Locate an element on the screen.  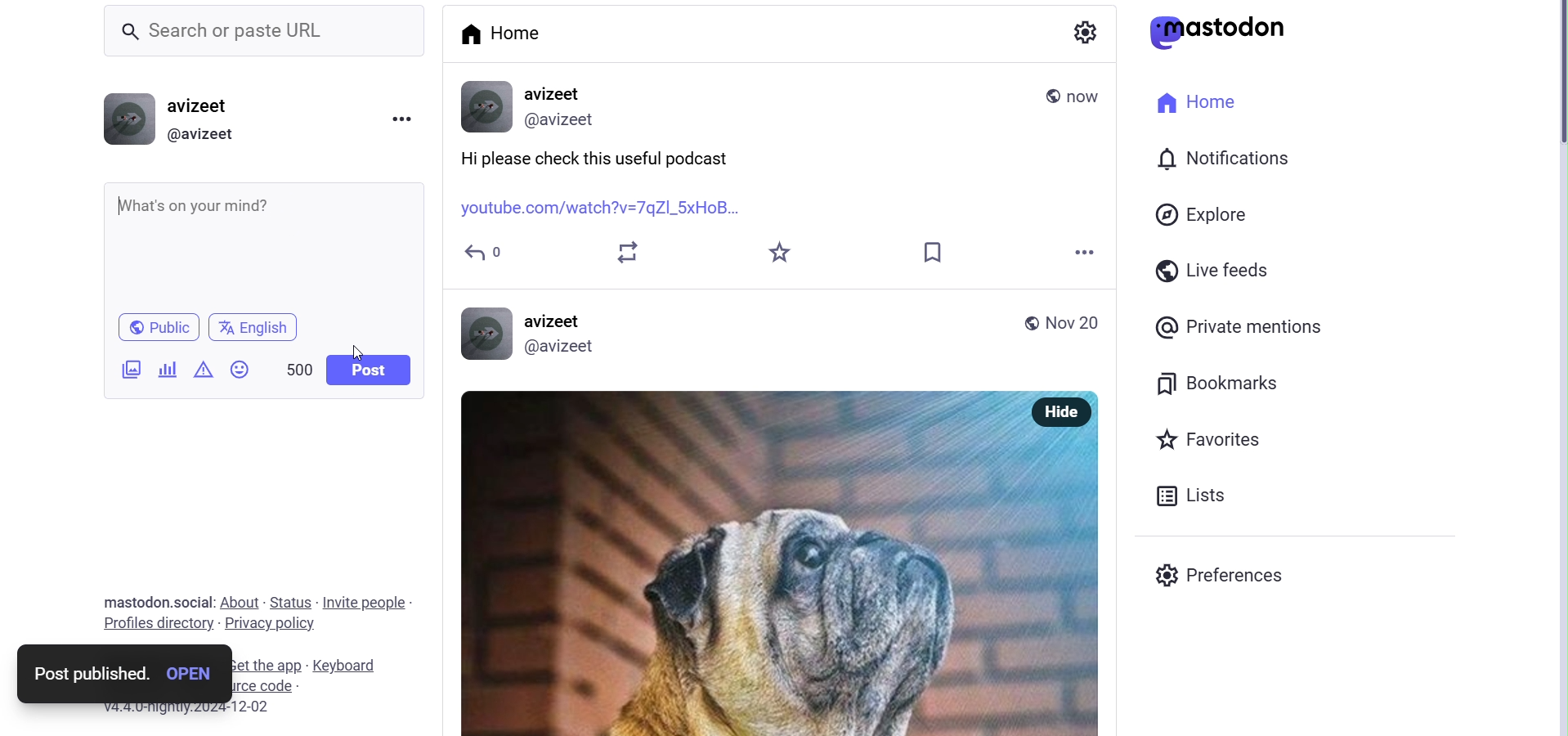
english is located at coordinates (258, 327).